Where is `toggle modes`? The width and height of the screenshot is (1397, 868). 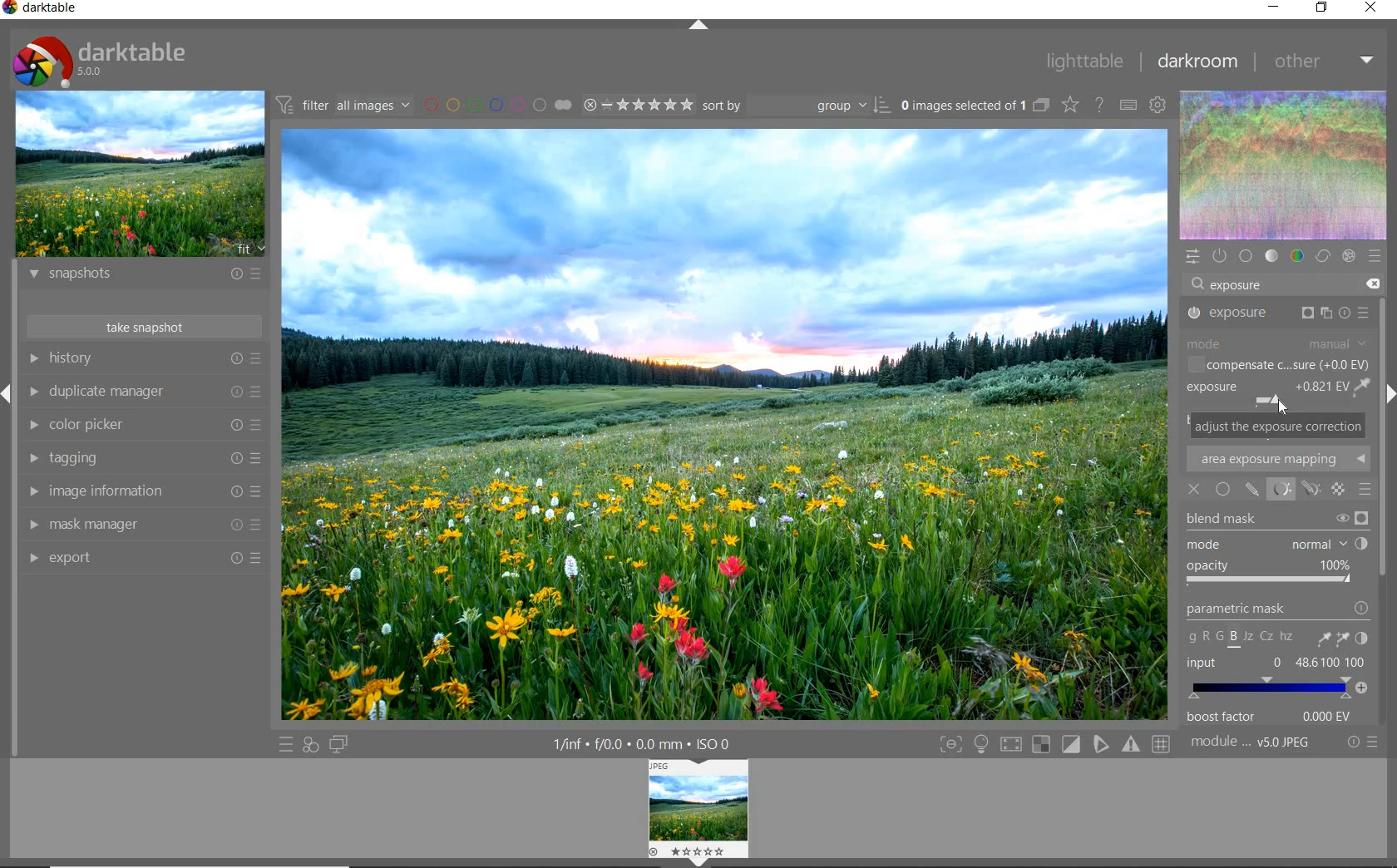
toggle modes is located at coordinates (1054, 745).